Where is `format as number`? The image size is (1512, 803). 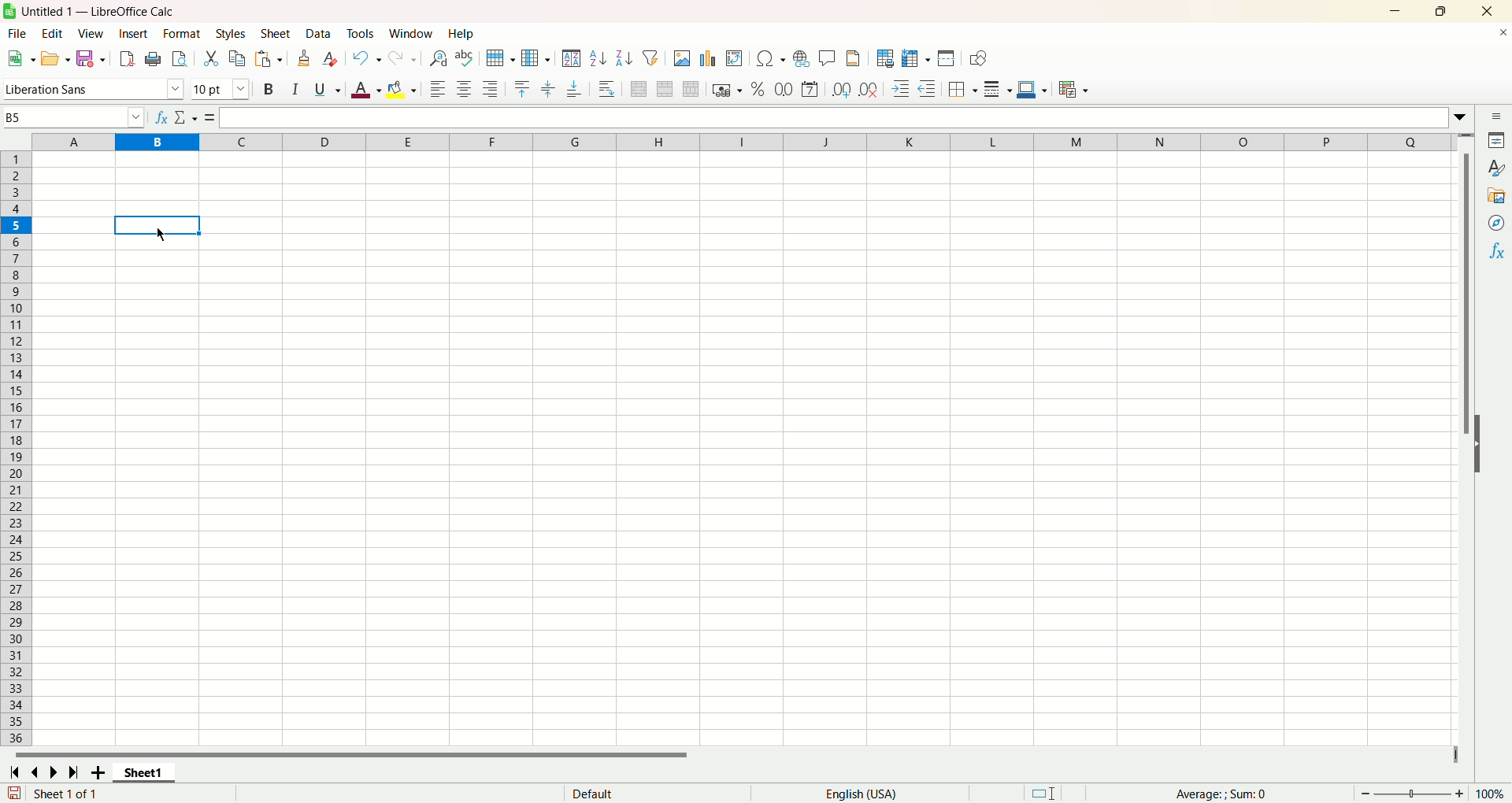 format as number is located at coordinates (784, 88).